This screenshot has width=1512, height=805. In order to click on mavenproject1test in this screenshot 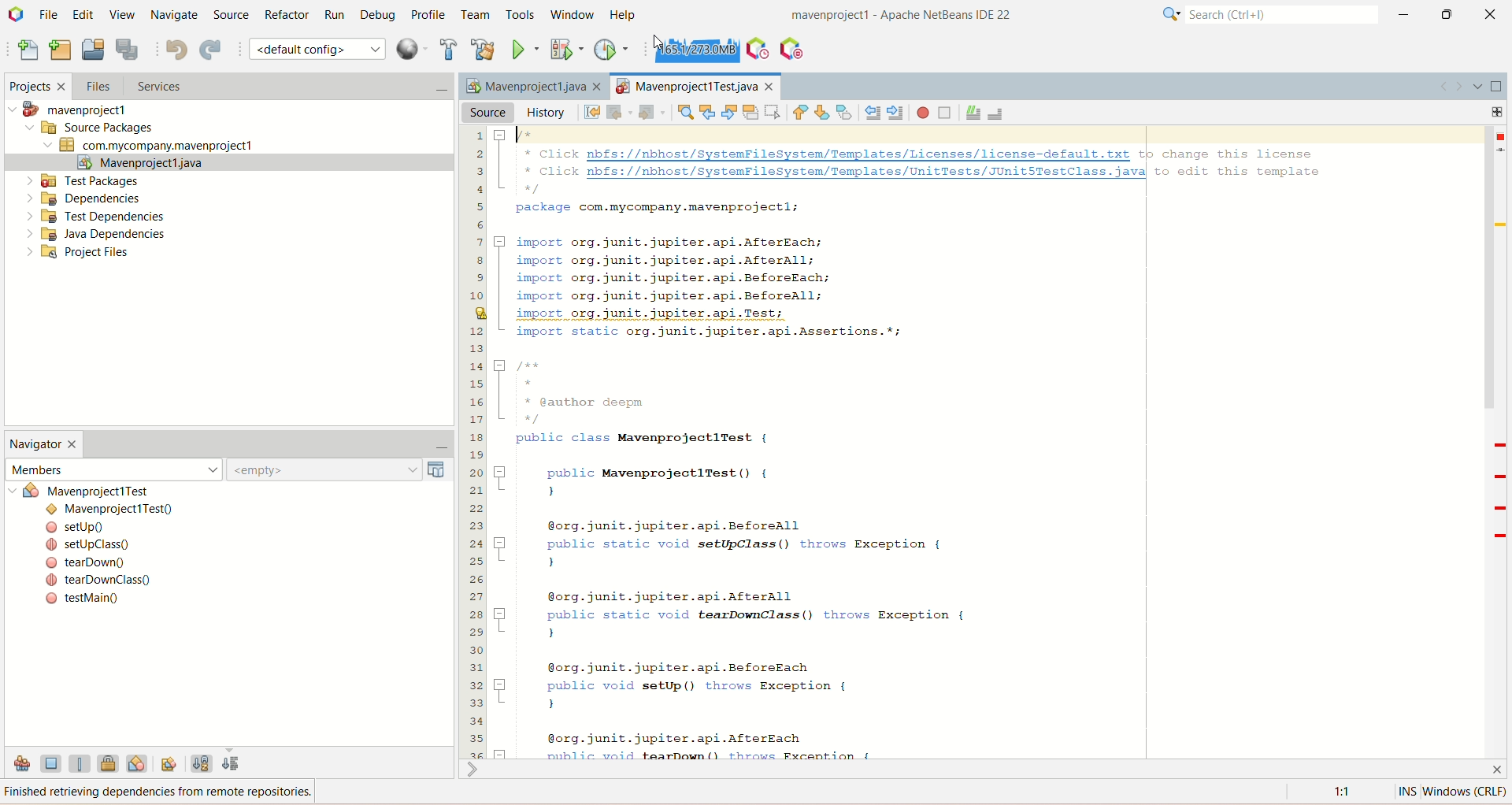, I will do `click(77, 488)`.